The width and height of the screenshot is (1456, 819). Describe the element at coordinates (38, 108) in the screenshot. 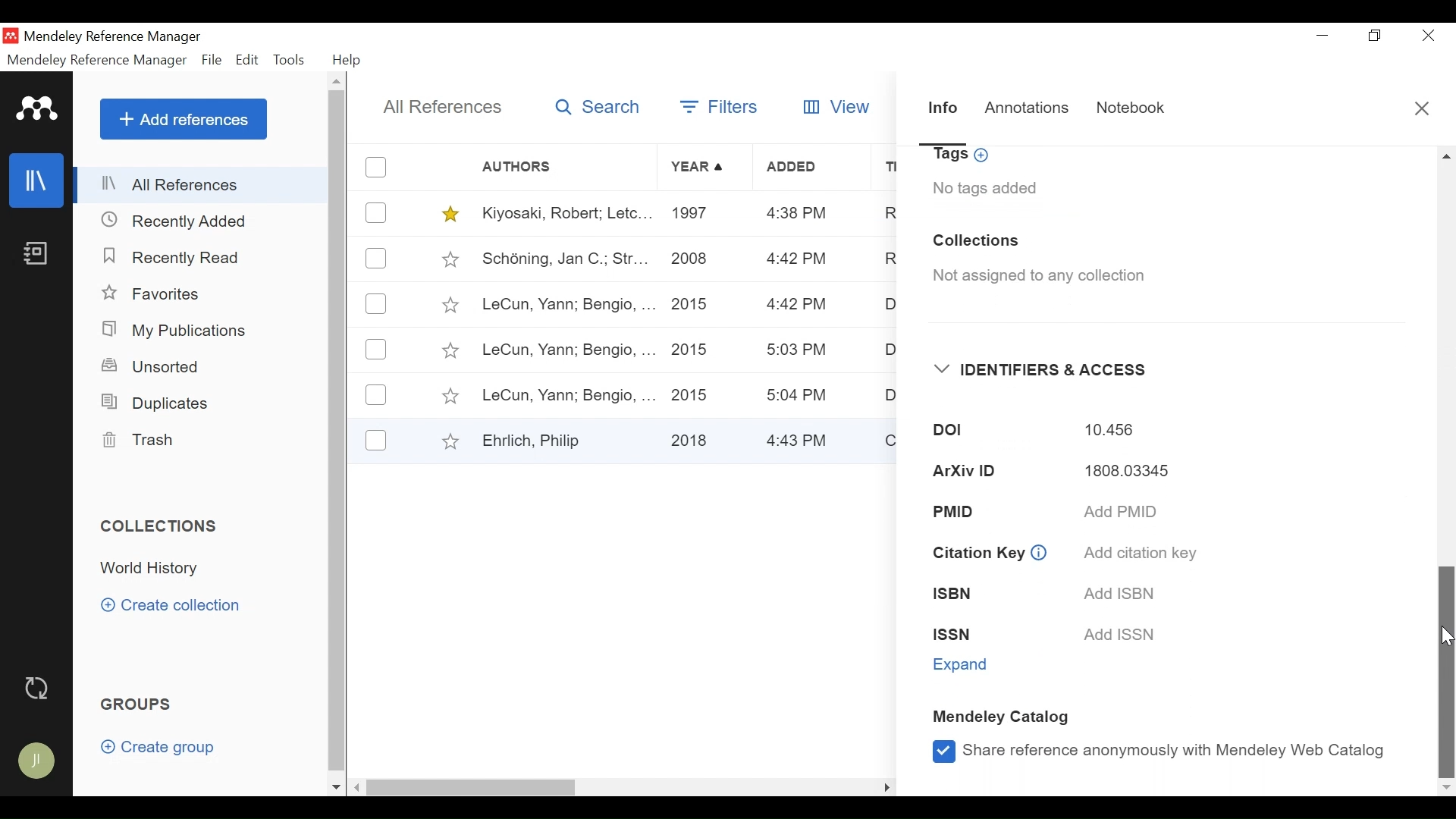

I see `Mendeley` at that location.